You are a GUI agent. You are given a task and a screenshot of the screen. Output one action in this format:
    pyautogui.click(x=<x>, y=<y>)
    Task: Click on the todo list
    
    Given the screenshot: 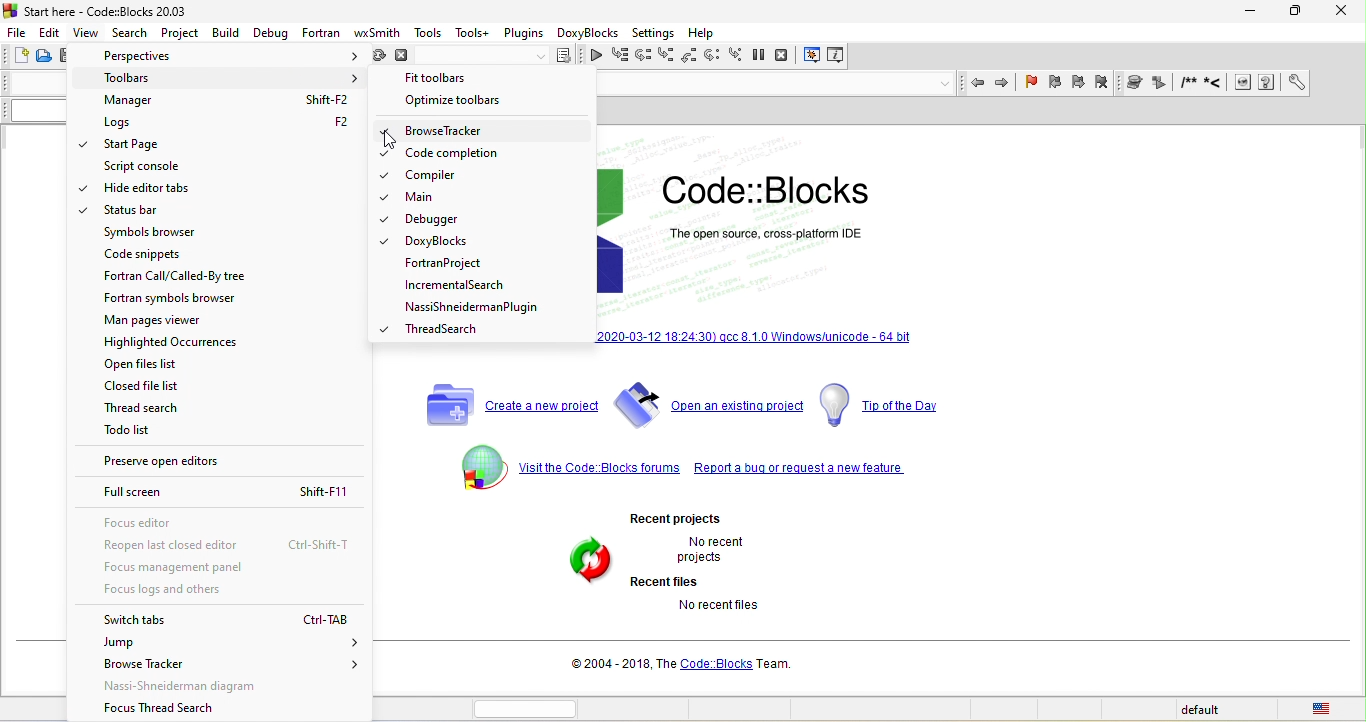 What is the action you would take?
    pyautogui.click(x=123, y=435)
    